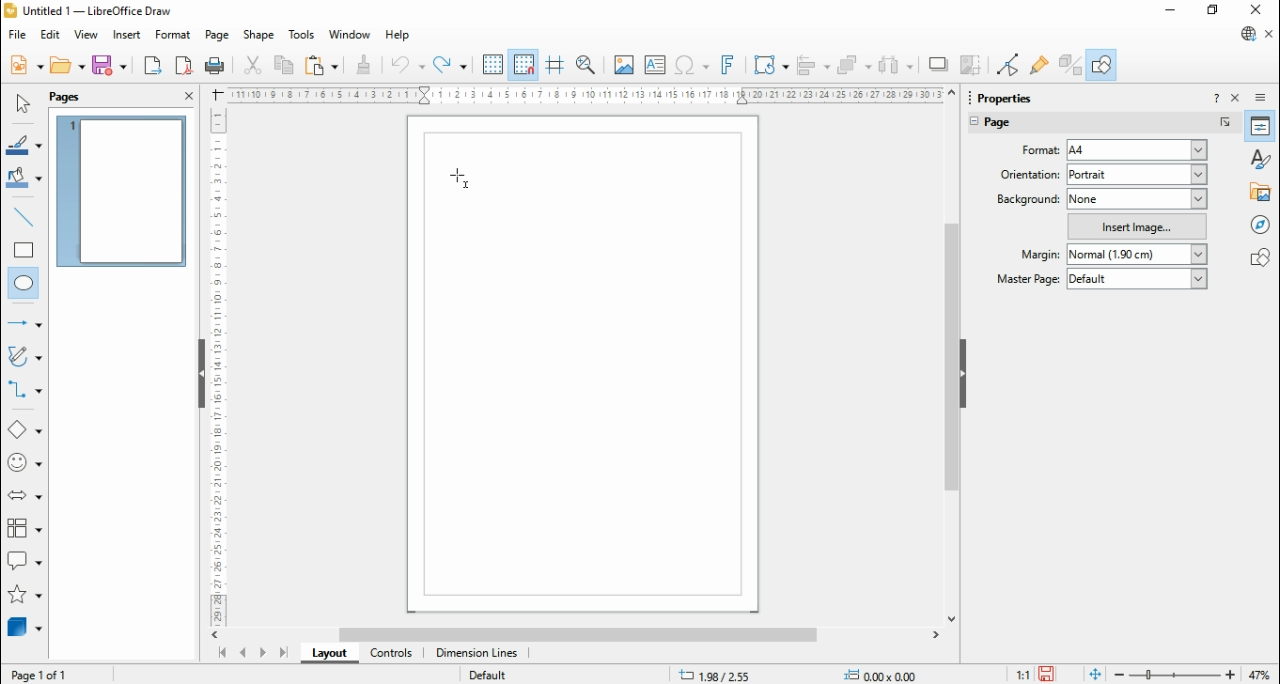  Describe the element at coordinates (320, 64) in the screenshot. I see `paste` at that location.